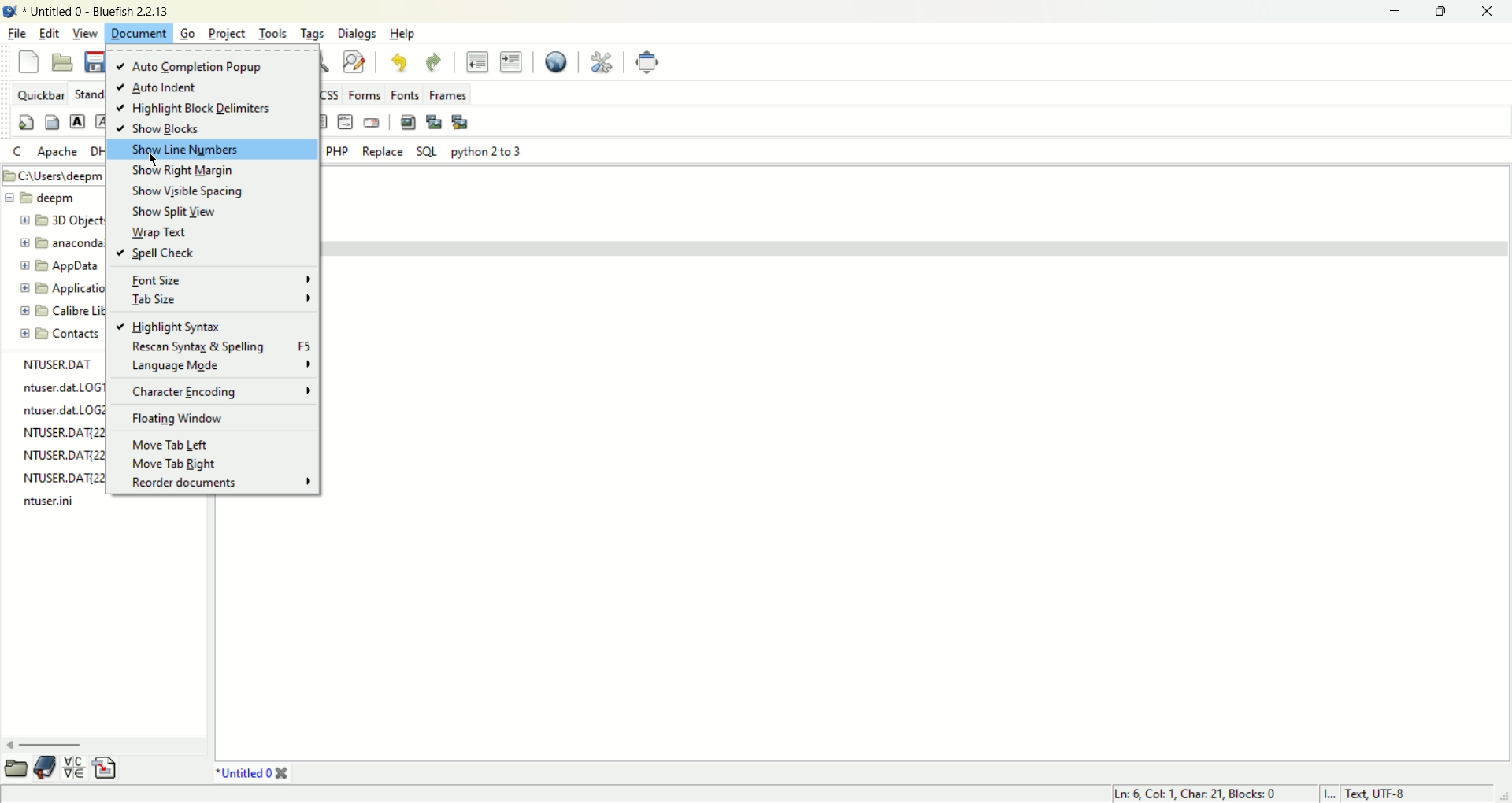 The image size is (1512, 803). What do you see at coordinates (372, 123) in the screenshot?
I see `email` at bounding box center [372, 123].